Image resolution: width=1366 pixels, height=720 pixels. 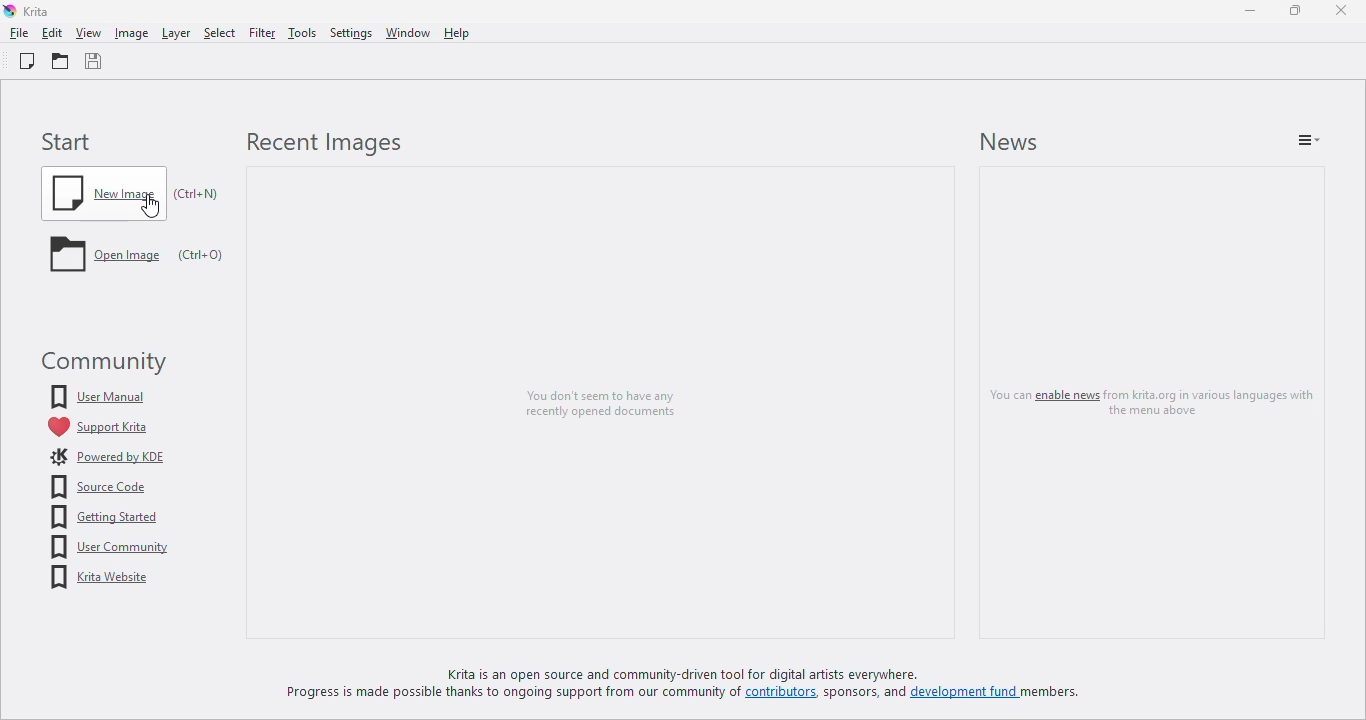 I want to click on view, so click(x=90, y=33).